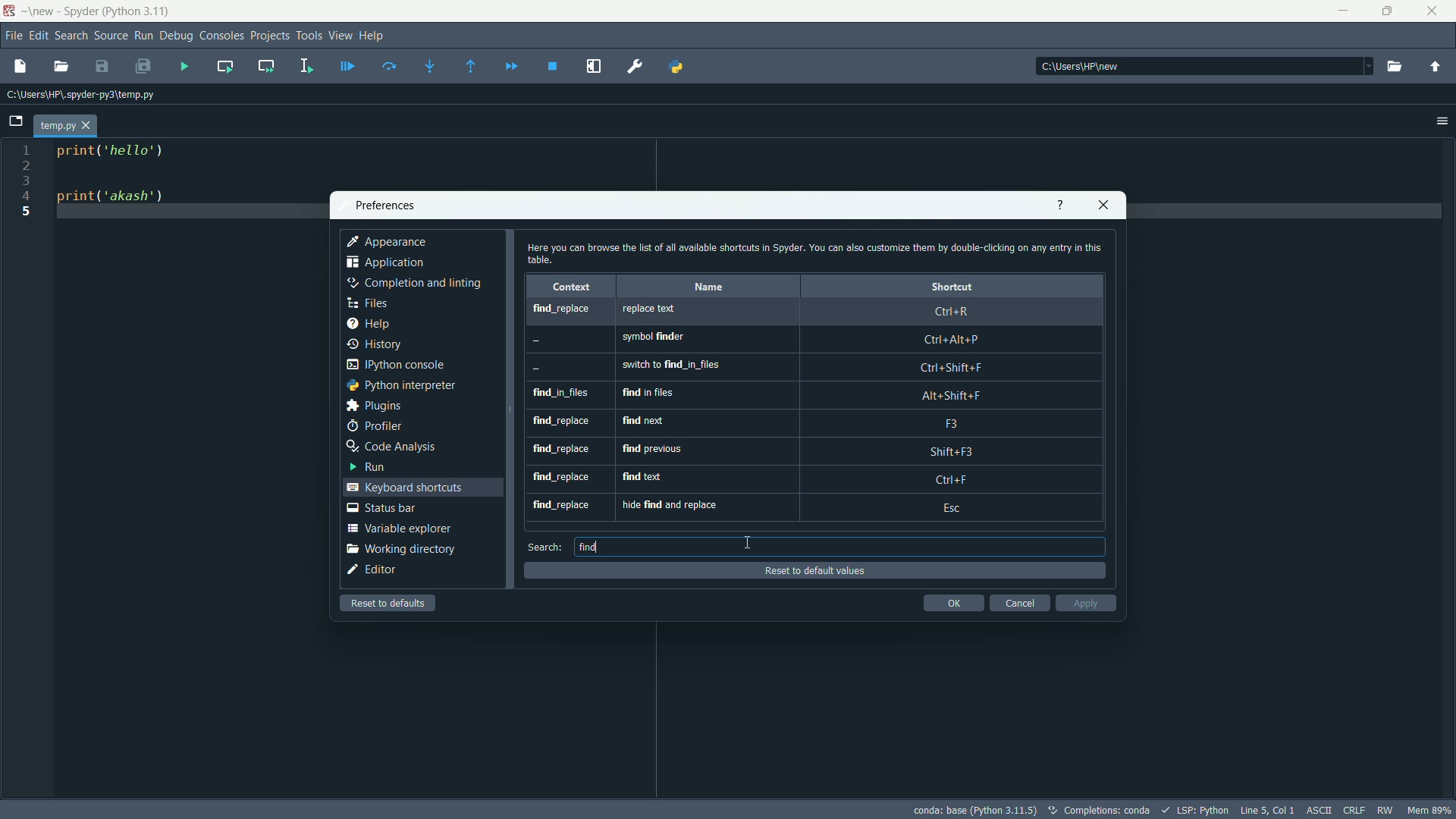 Image resolution: width=1456 pixels, height=819 pixels. I want to click on ~\new - Spyder (Python 3.11), so click(99, 12).